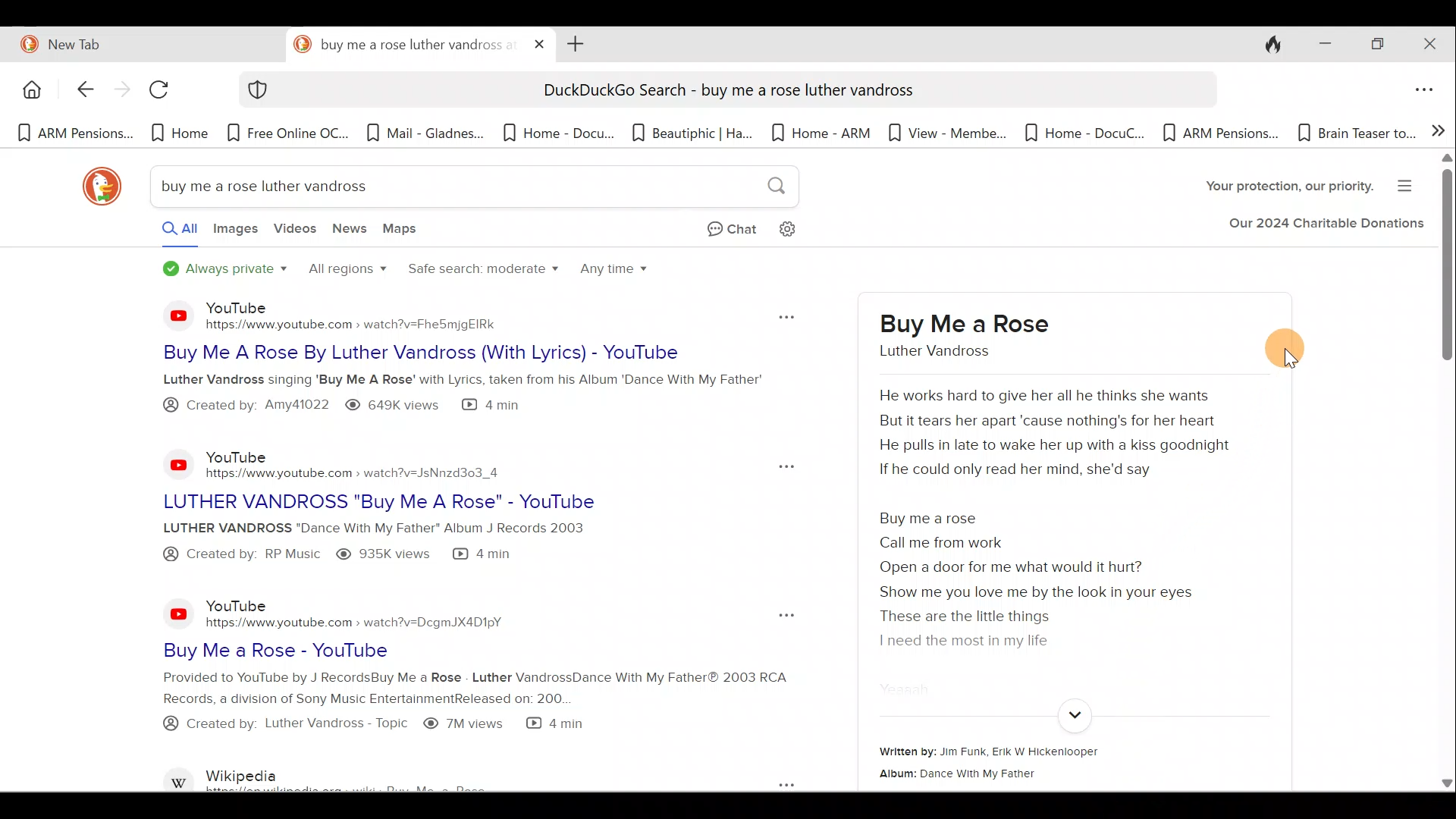  What do you see at coordinates (782, 616) in the screenshot?
I see `Pop out` at bounding box center [782, 616].